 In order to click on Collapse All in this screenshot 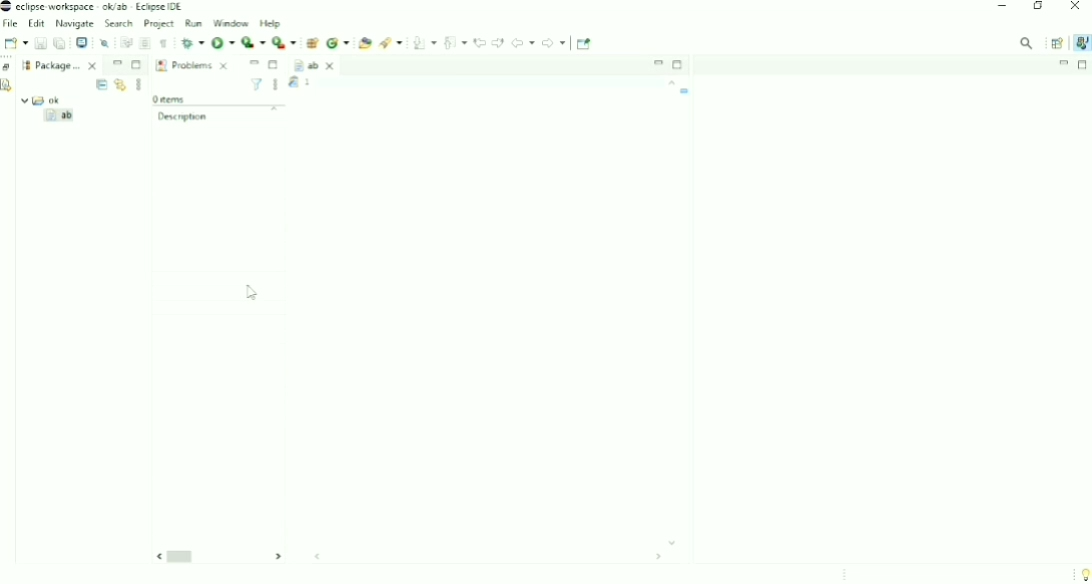, I will do `click(101, 85)`.